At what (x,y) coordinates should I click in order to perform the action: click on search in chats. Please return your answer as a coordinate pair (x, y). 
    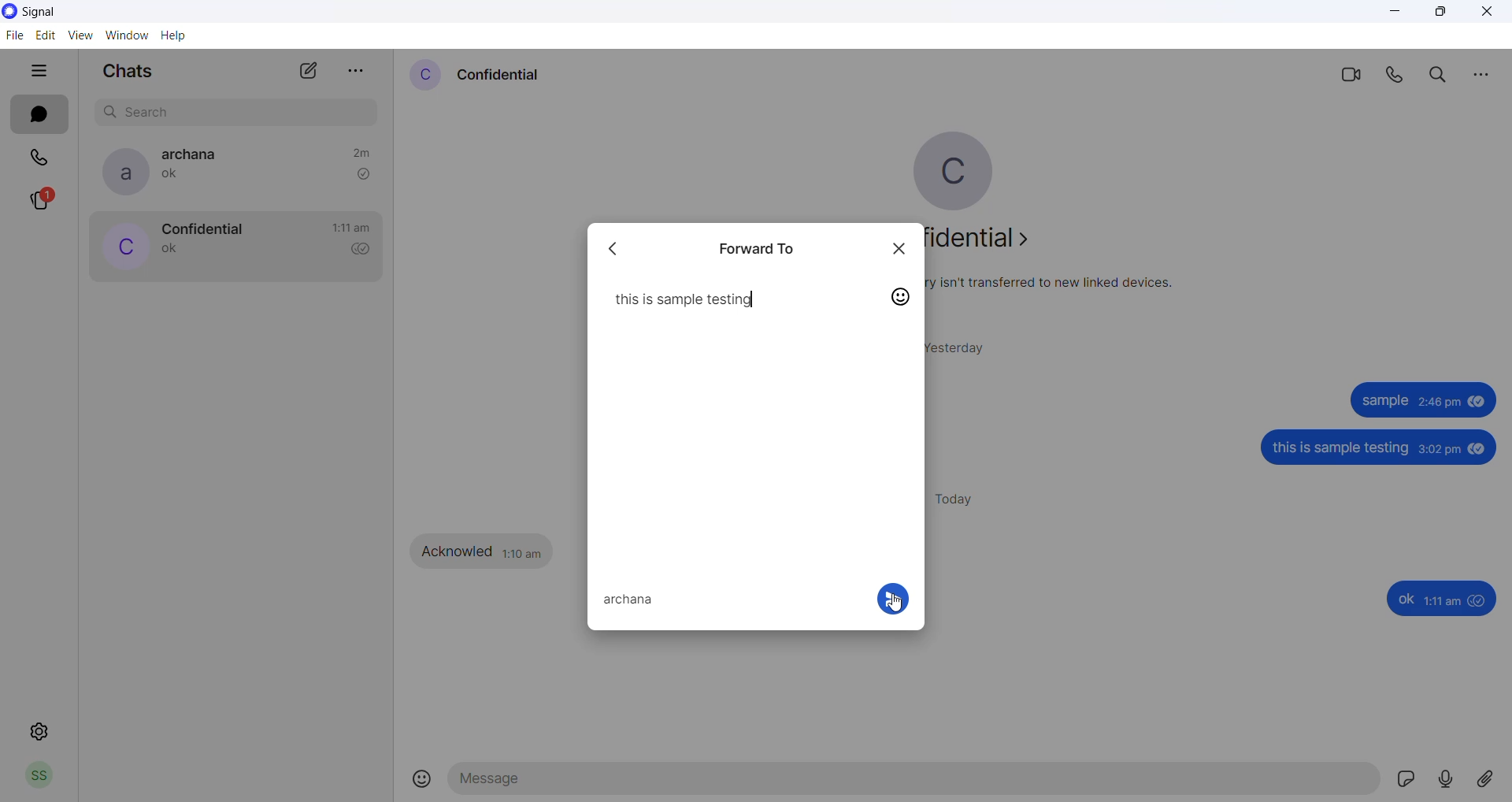
    Looking at the image, I should click on (1442, 75).